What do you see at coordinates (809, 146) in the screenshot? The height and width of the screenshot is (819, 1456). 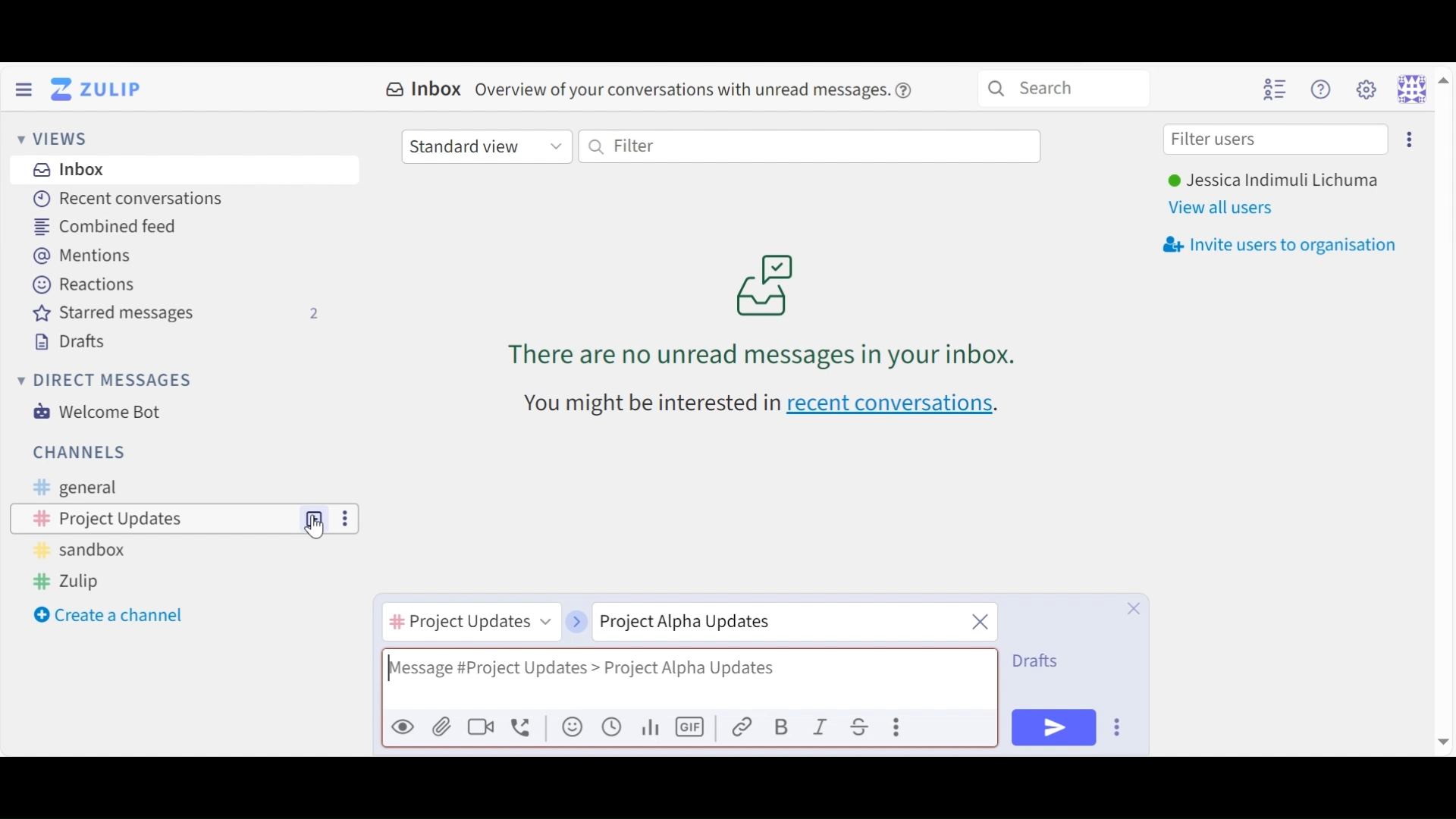 I see `Filter` at bounding box center [809, 146].